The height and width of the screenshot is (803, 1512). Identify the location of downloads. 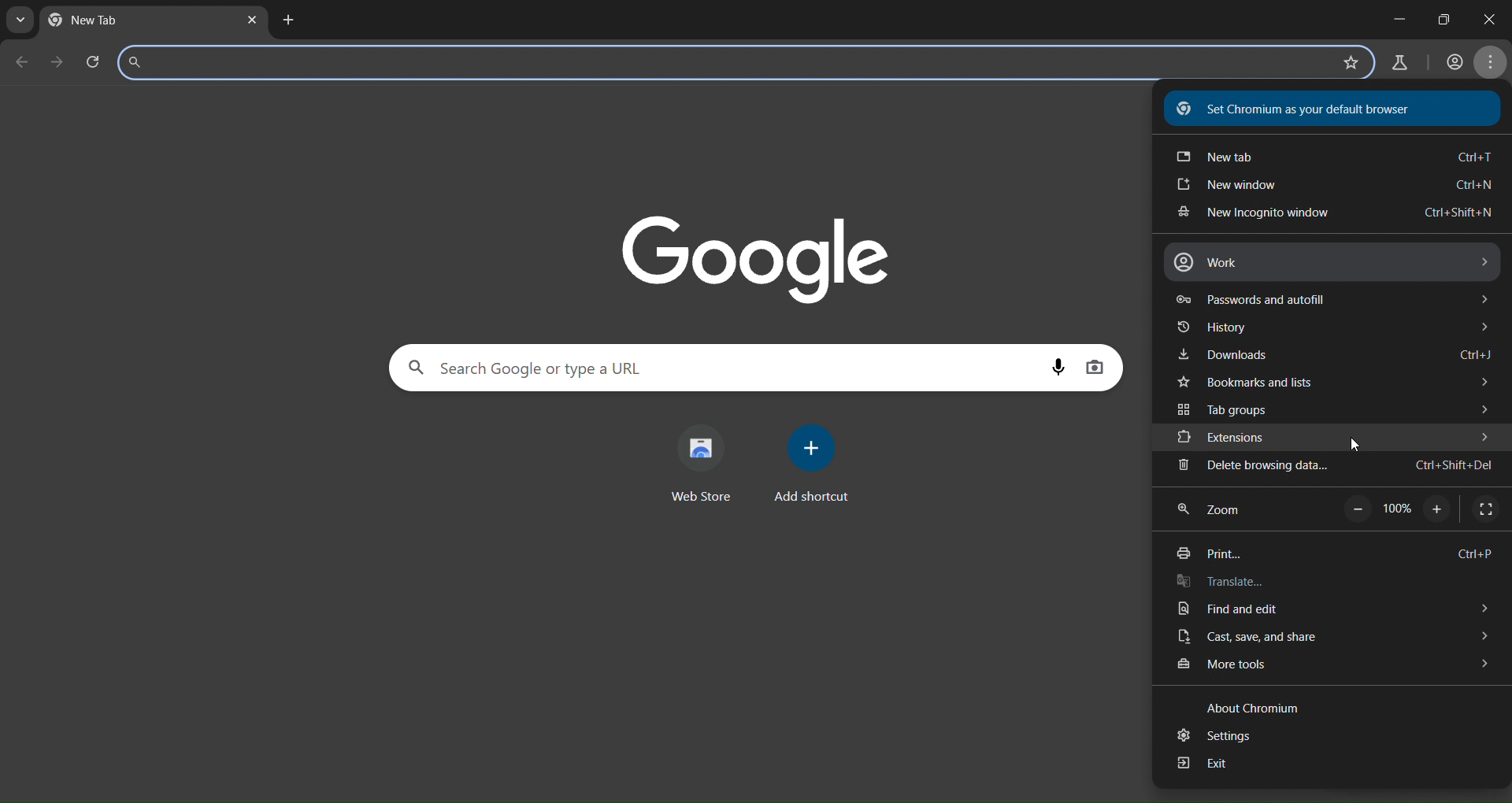
(1332, 356).